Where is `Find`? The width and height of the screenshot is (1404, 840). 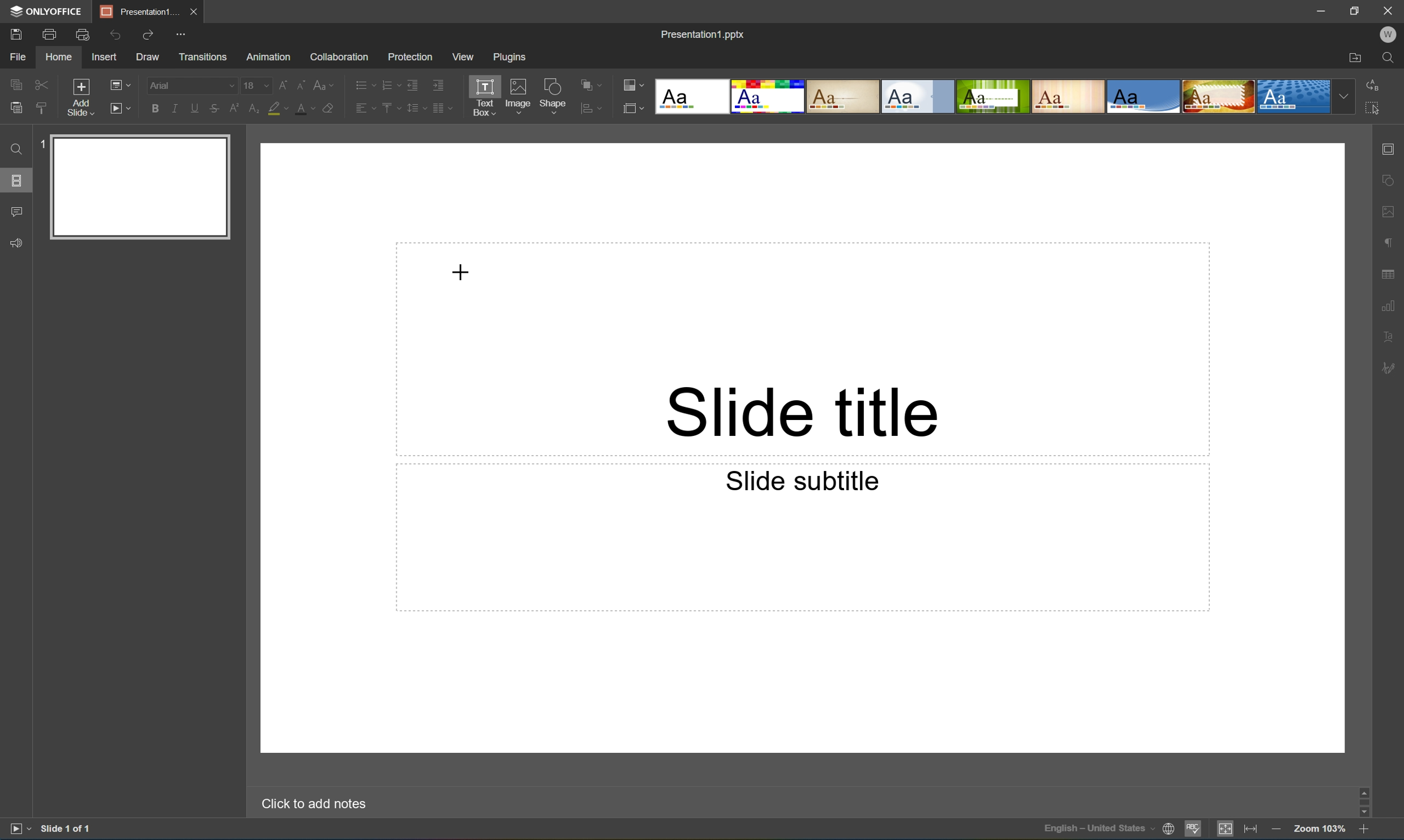 Find is located at coordinates (1393, 58).